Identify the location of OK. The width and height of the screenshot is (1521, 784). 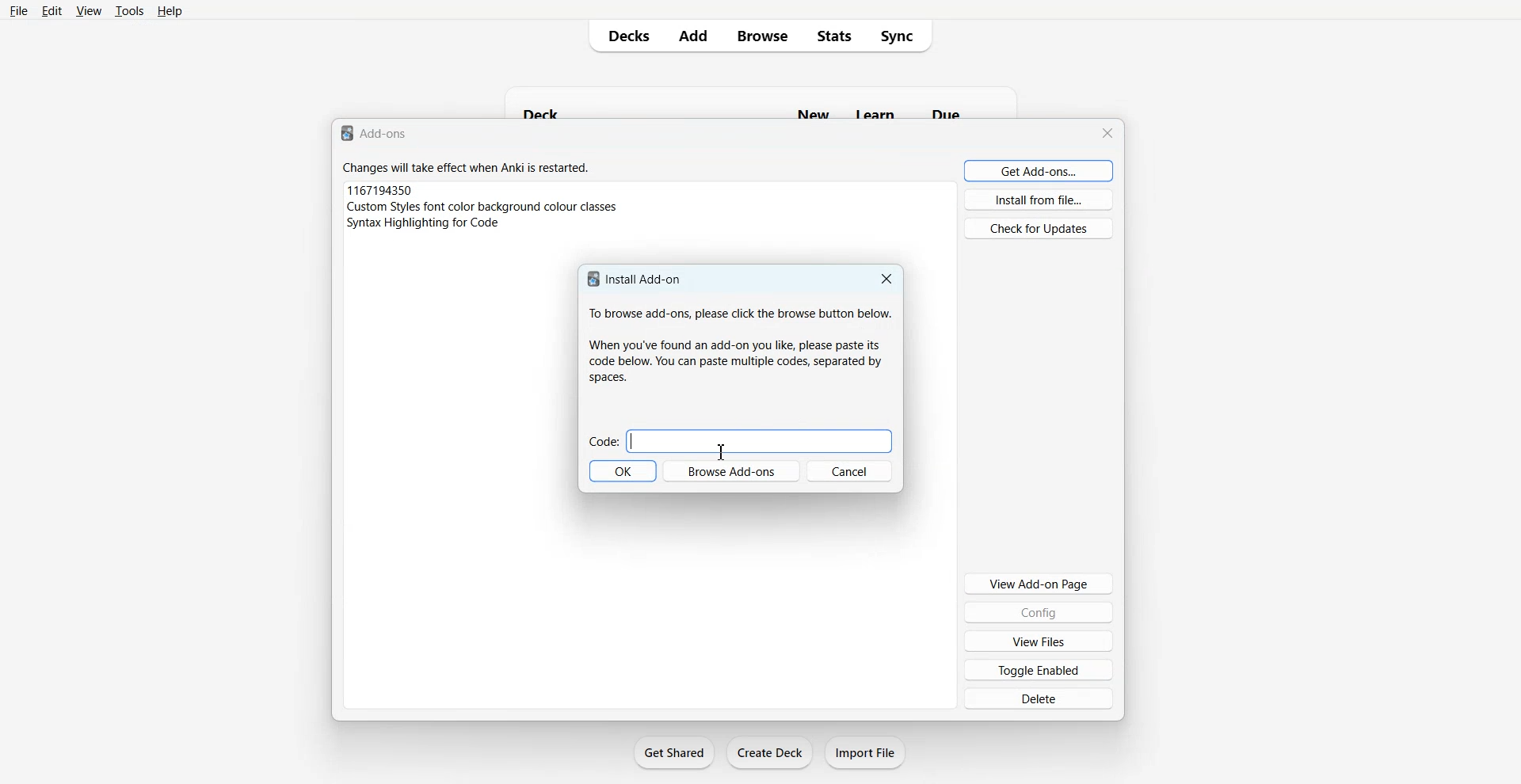
(622, 470).